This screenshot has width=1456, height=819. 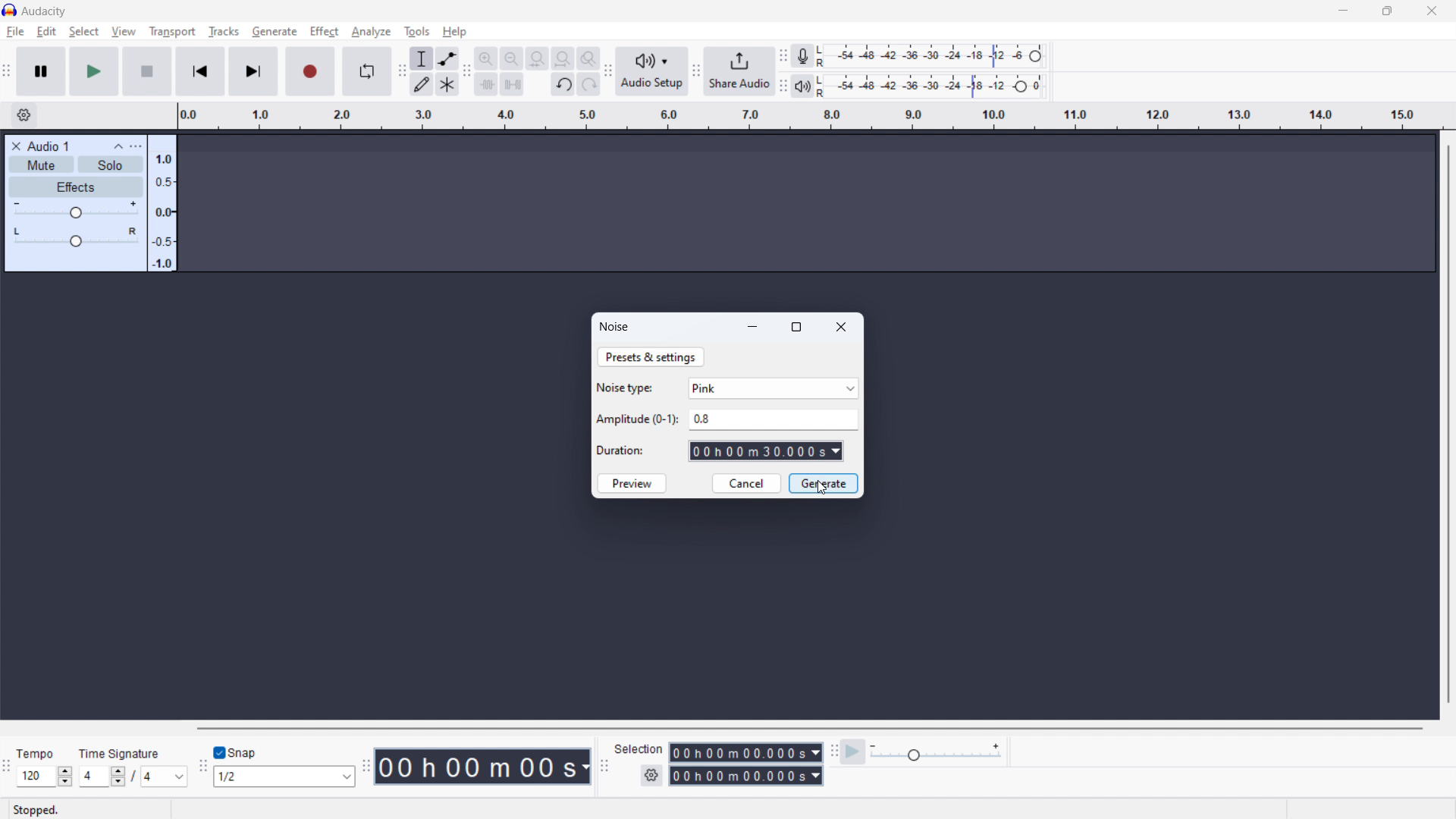 I want to click on vertical scrollbar, so click(x=1449, y=422).